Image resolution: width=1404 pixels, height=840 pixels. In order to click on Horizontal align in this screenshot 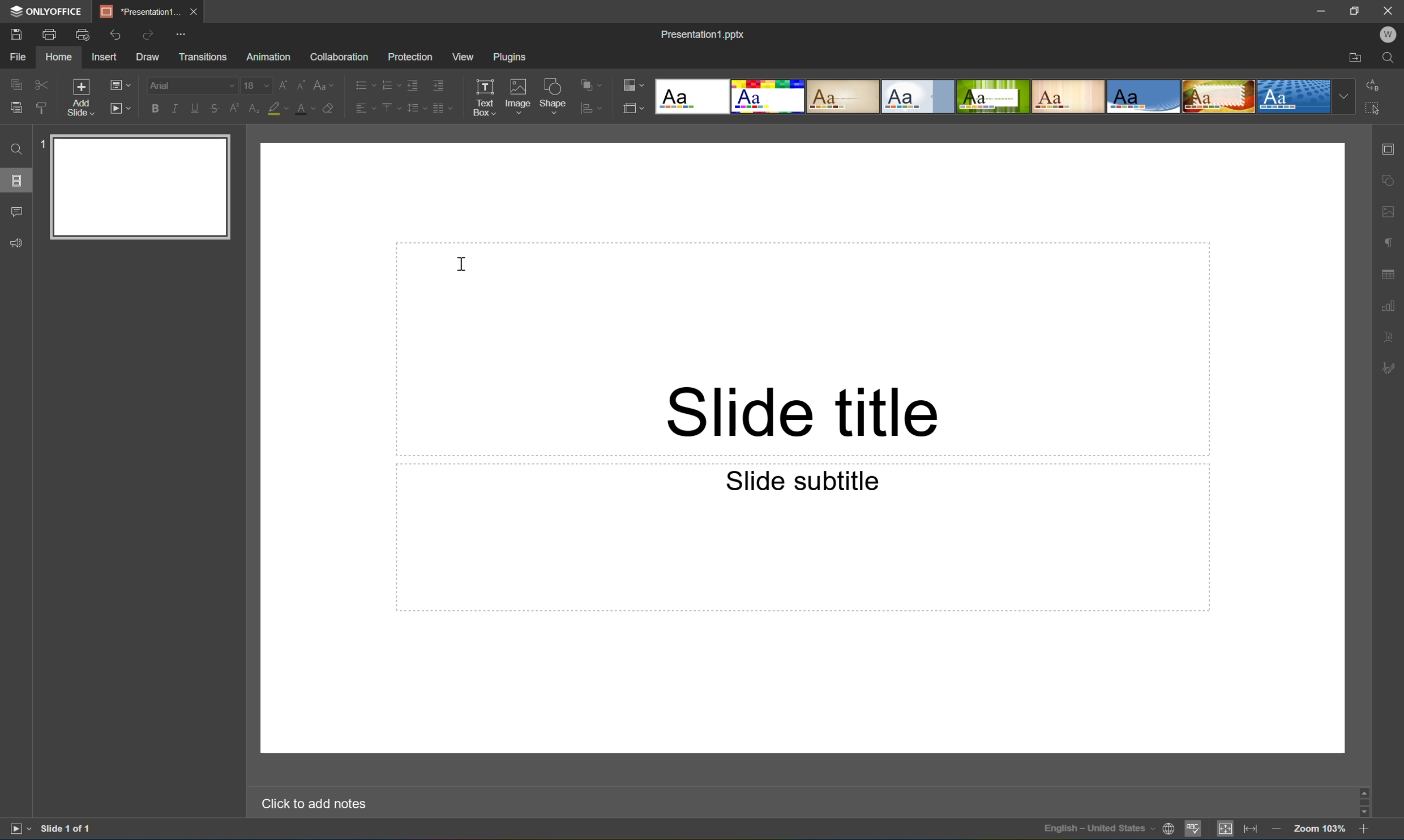, I will do `click(363, 107)`.